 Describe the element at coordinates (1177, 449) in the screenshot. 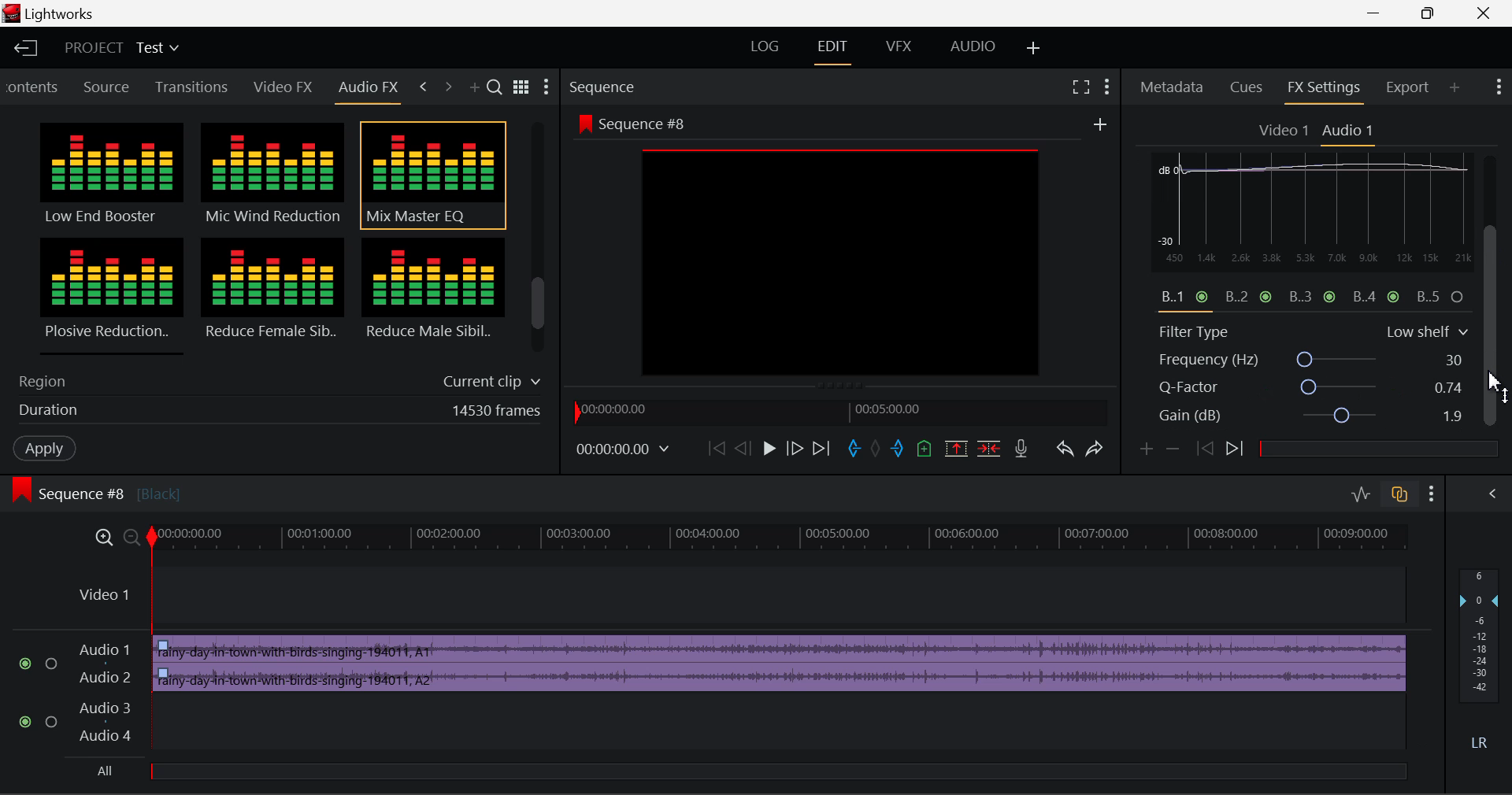

I see `remove keyframe` at that location.